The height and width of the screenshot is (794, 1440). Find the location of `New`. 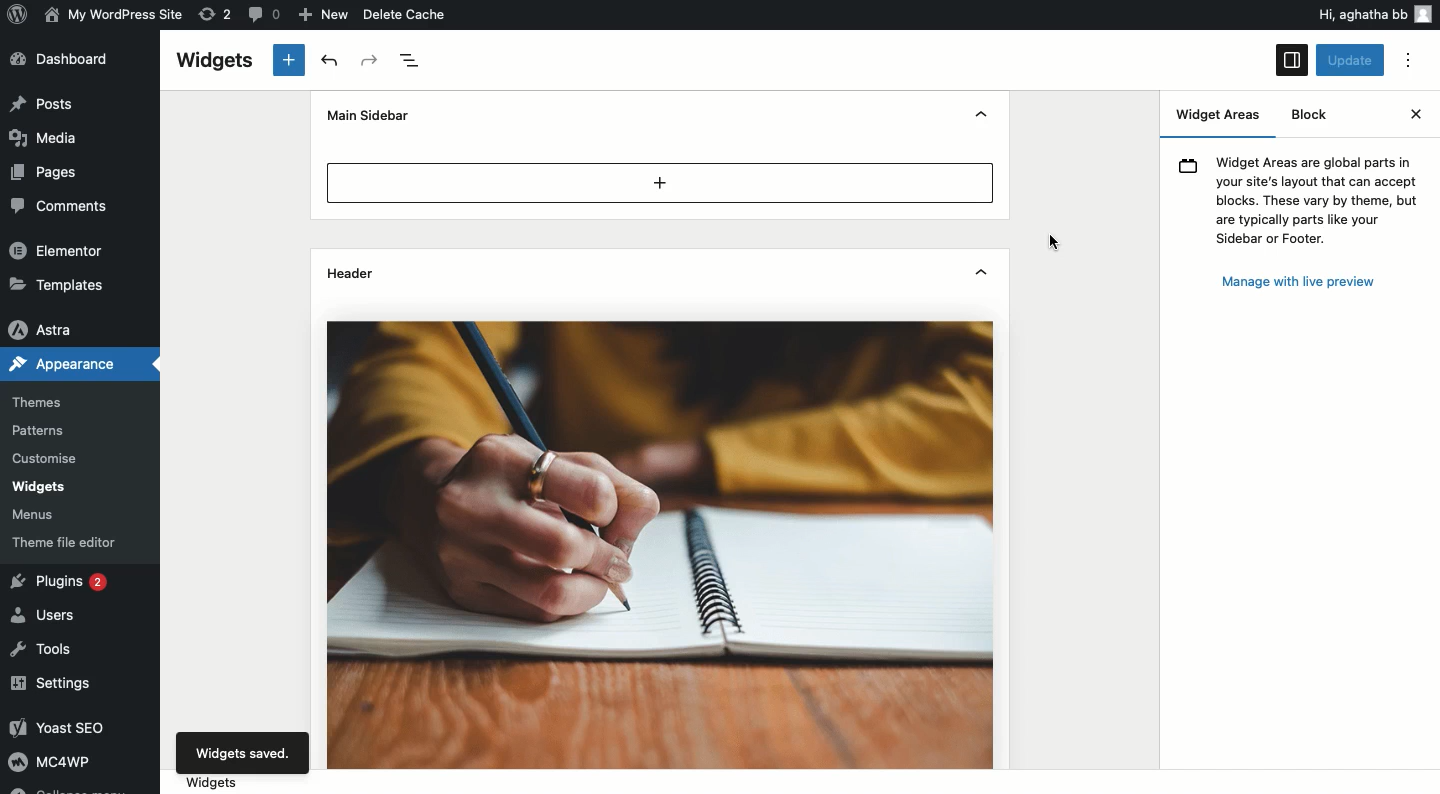

New is located at coordinates (326, 15).